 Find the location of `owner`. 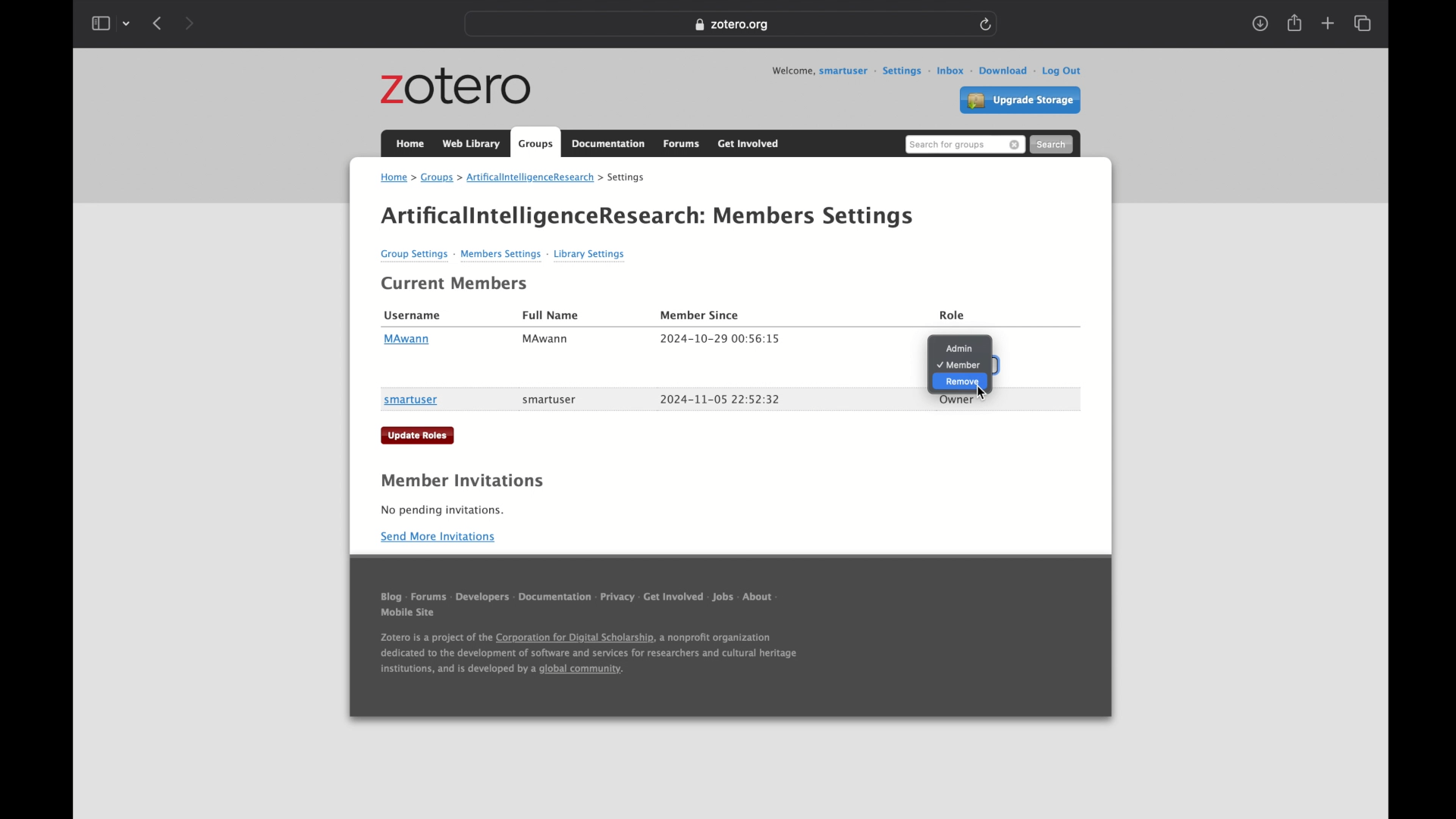

owner is located at coordinates (957, 400).